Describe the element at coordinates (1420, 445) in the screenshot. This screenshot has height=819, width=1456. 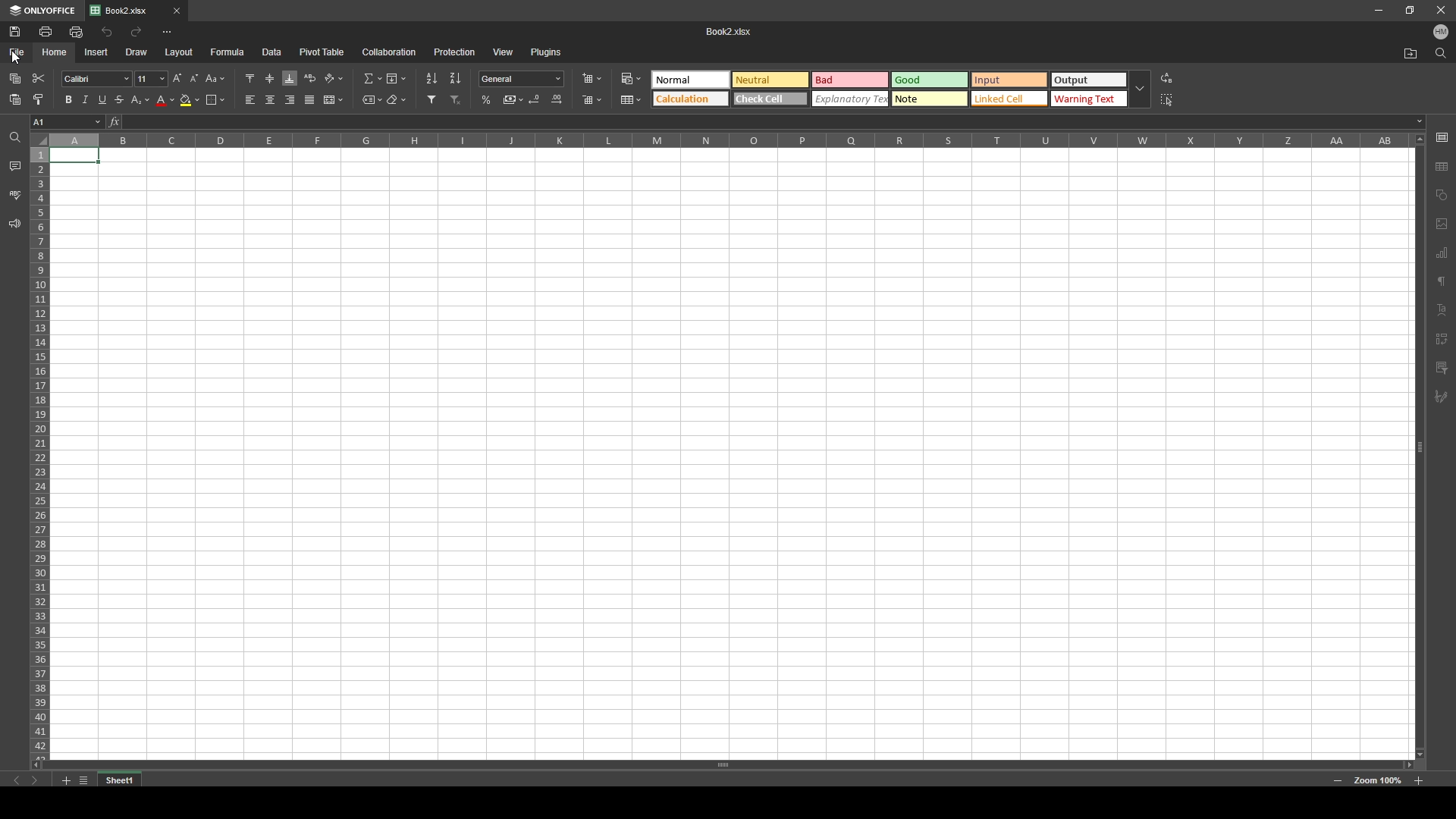
I see `vertical scroll bar` at that location.